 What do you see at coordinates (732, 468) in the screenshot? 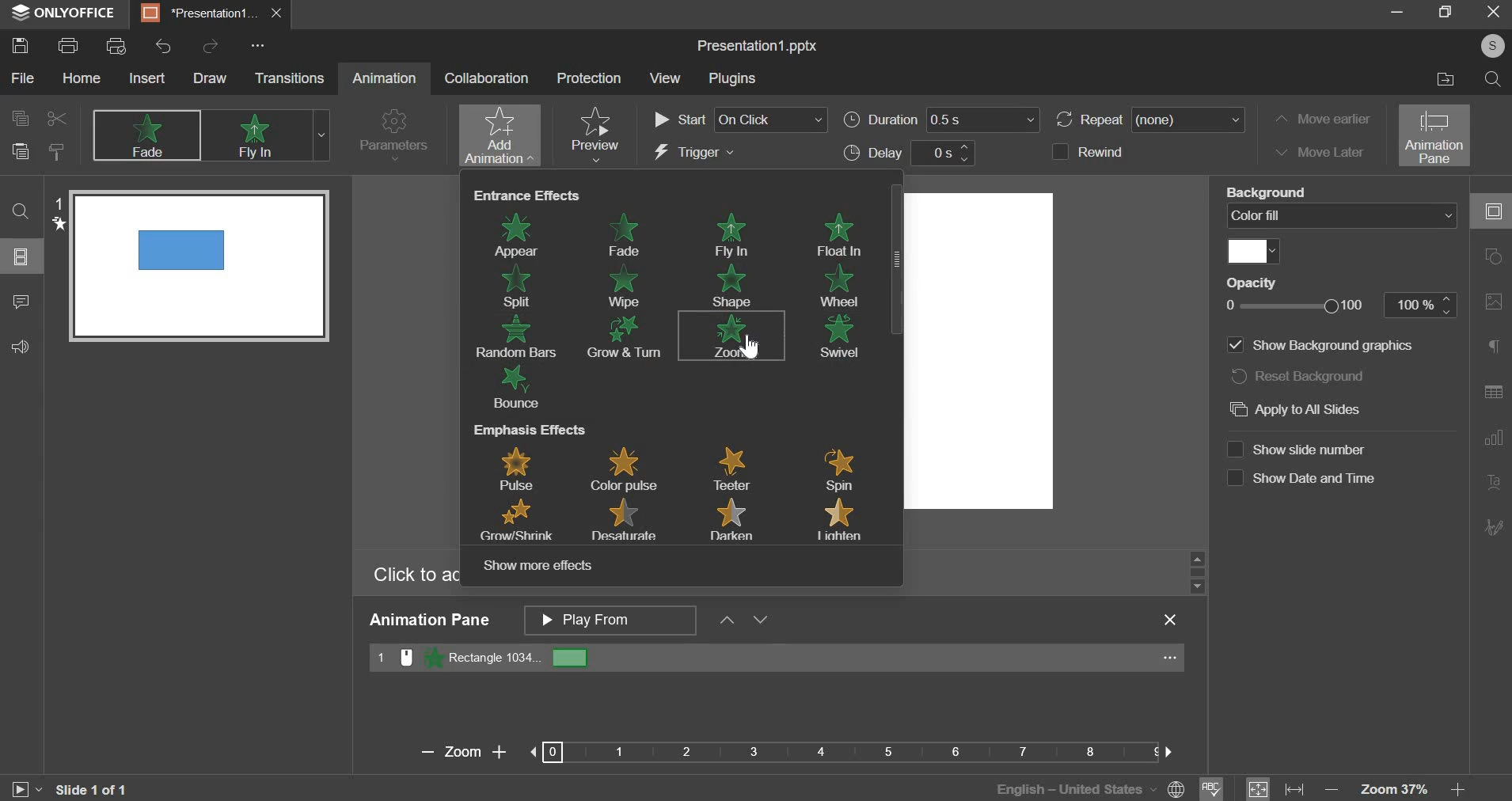
I see `teeler` at bounding box center [732, 468].